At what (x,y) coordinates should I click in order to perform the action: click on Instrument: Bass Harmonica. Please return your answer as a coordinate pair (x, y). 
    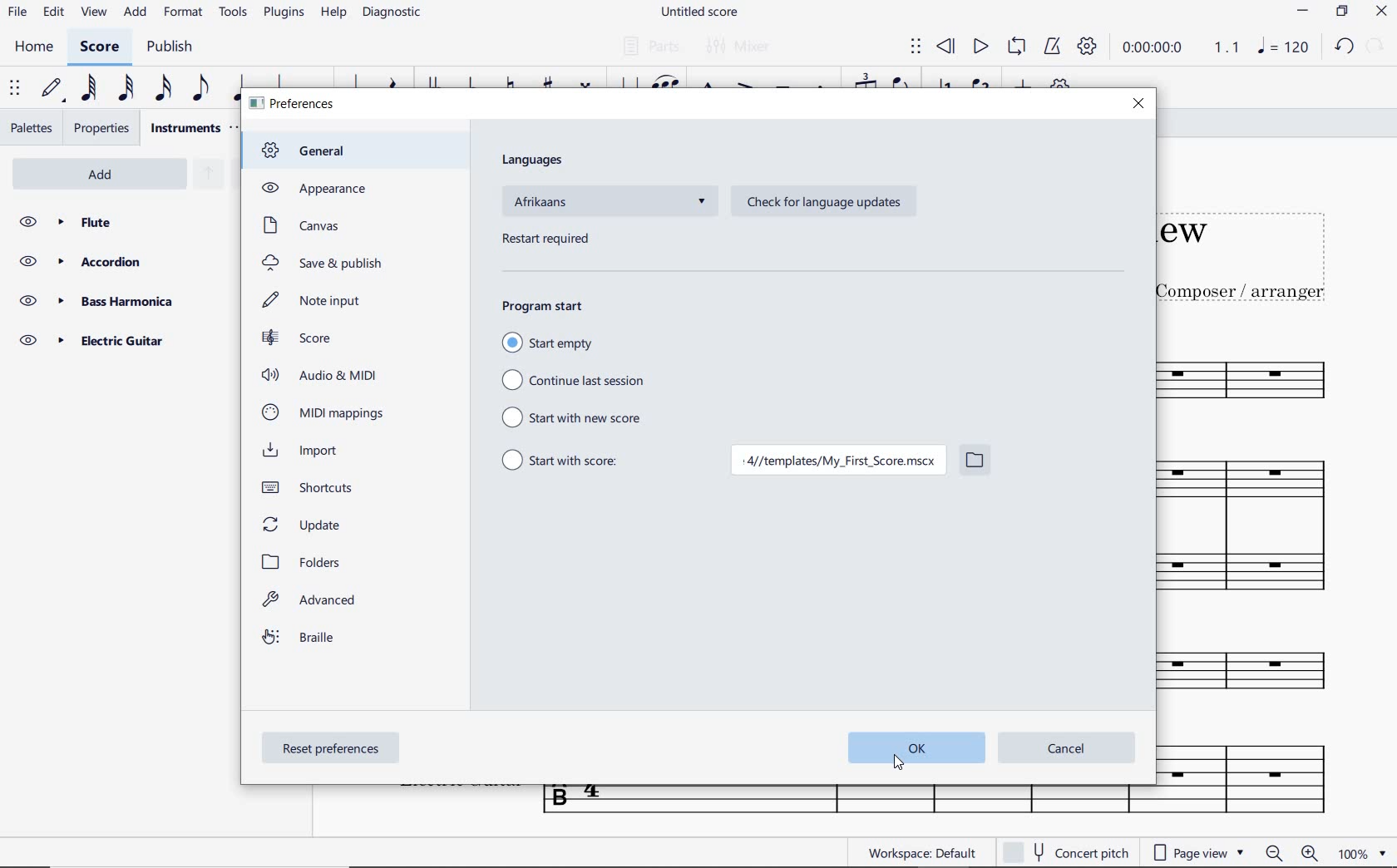
    Looking at the image, I should click on (1266, 675).